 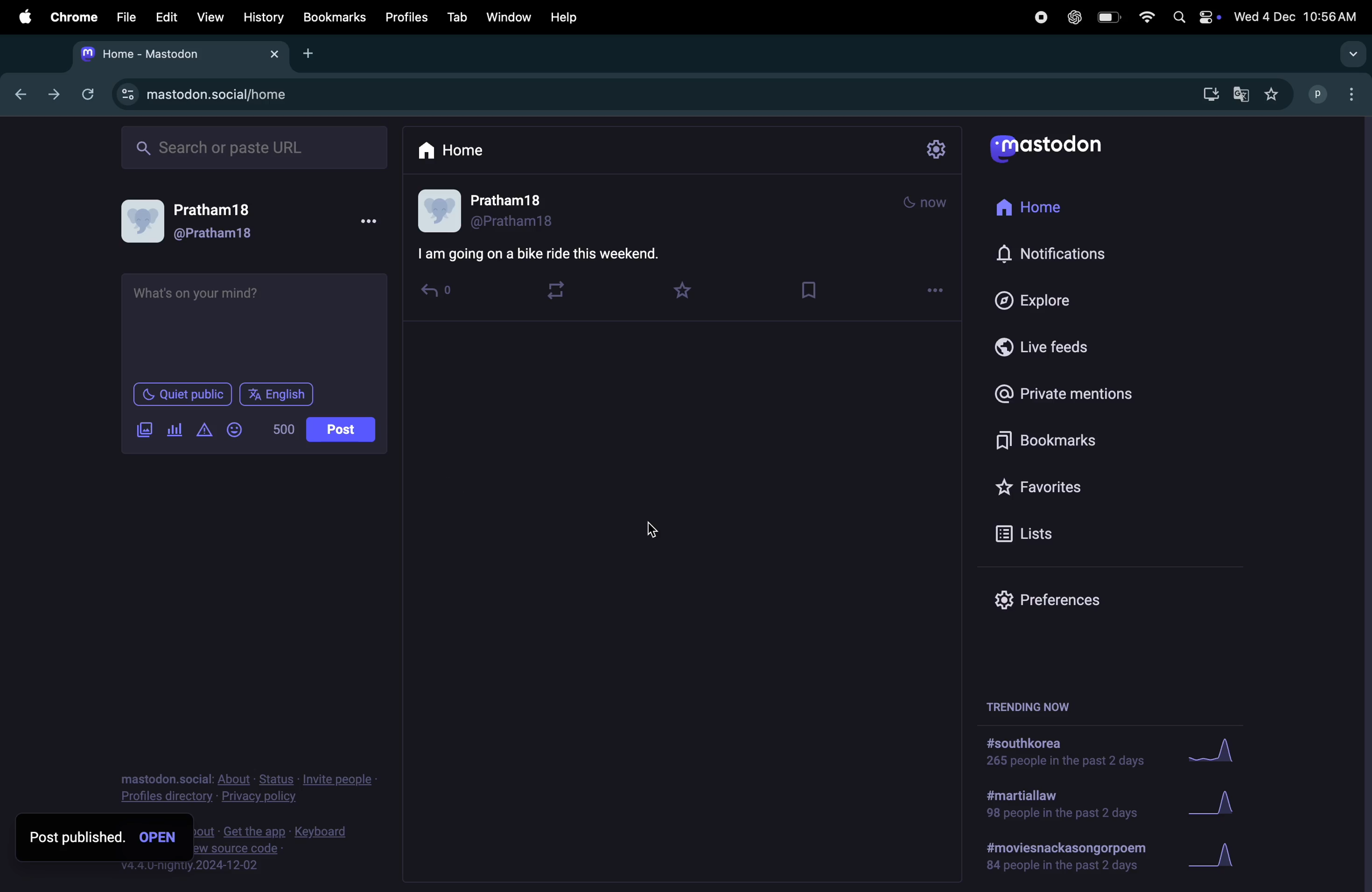 I want to click on hlep, so click(x=569, y=17).